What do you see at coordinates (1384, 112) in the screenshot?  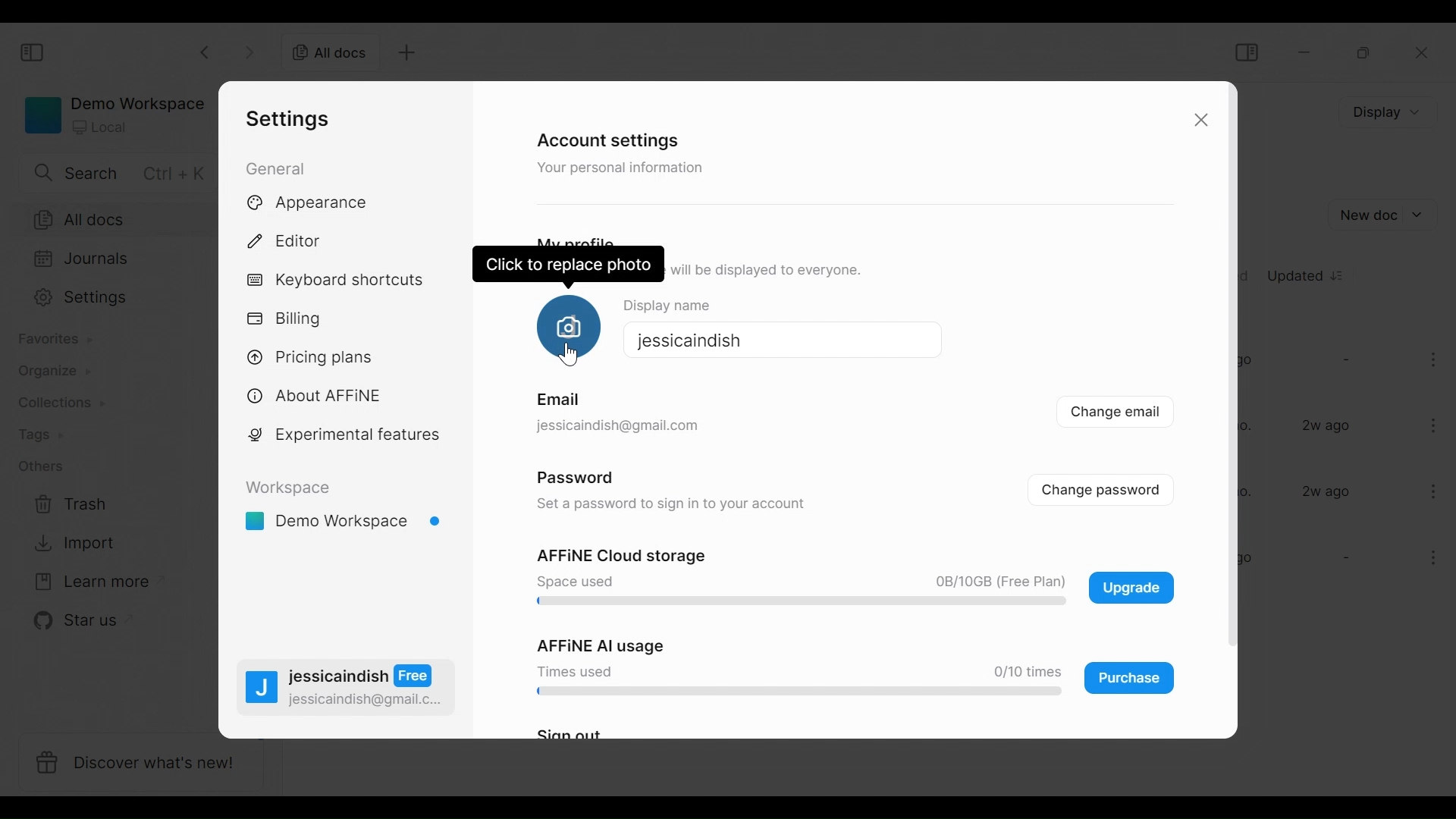 I see `Display` at bounding box center [1384, 112].